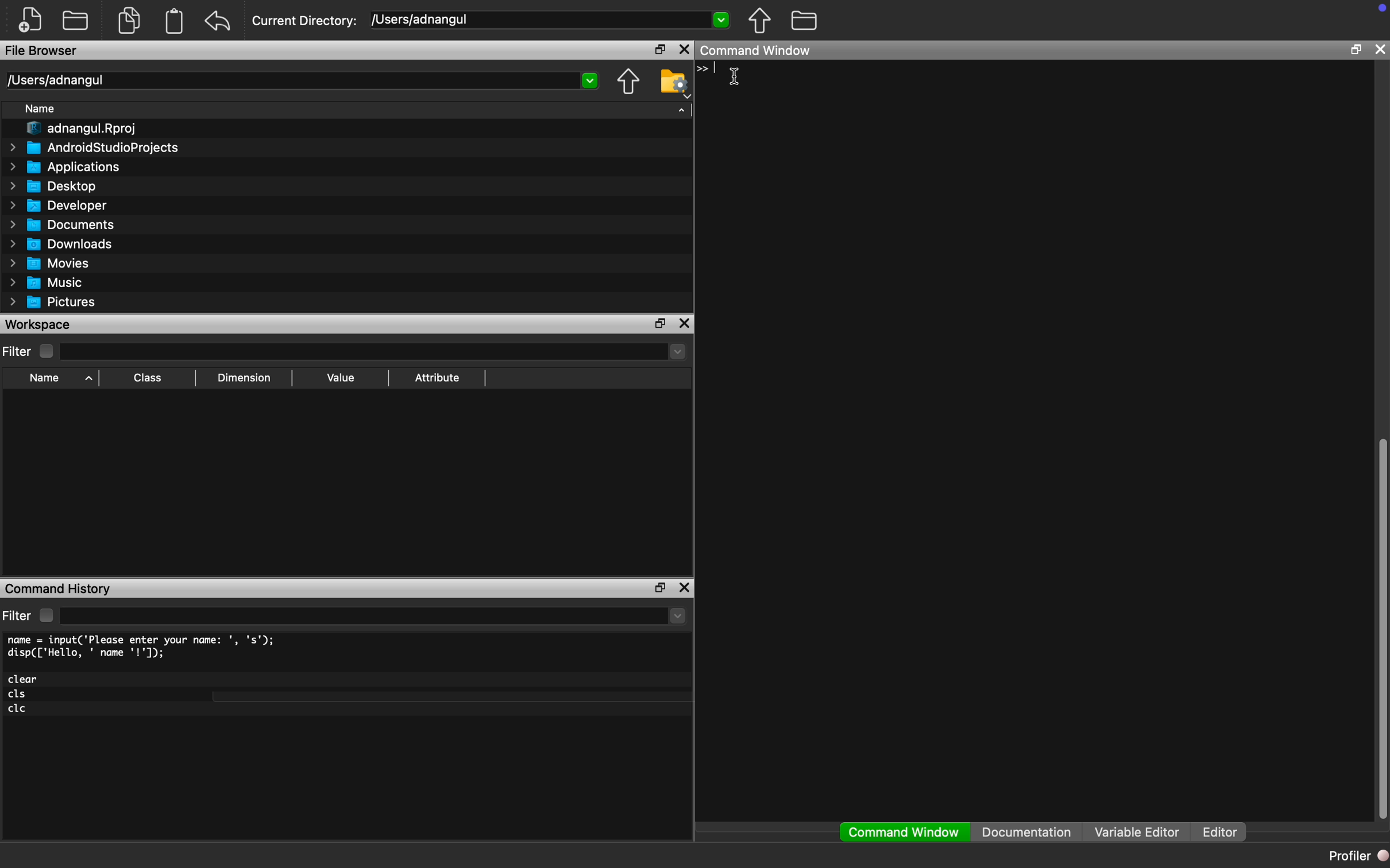 The width and height of the screenshot is (1390, 868). Describe the element at coordinates (94, 147) in the screenshot. I see `AndroidStudioProjects` at that location.